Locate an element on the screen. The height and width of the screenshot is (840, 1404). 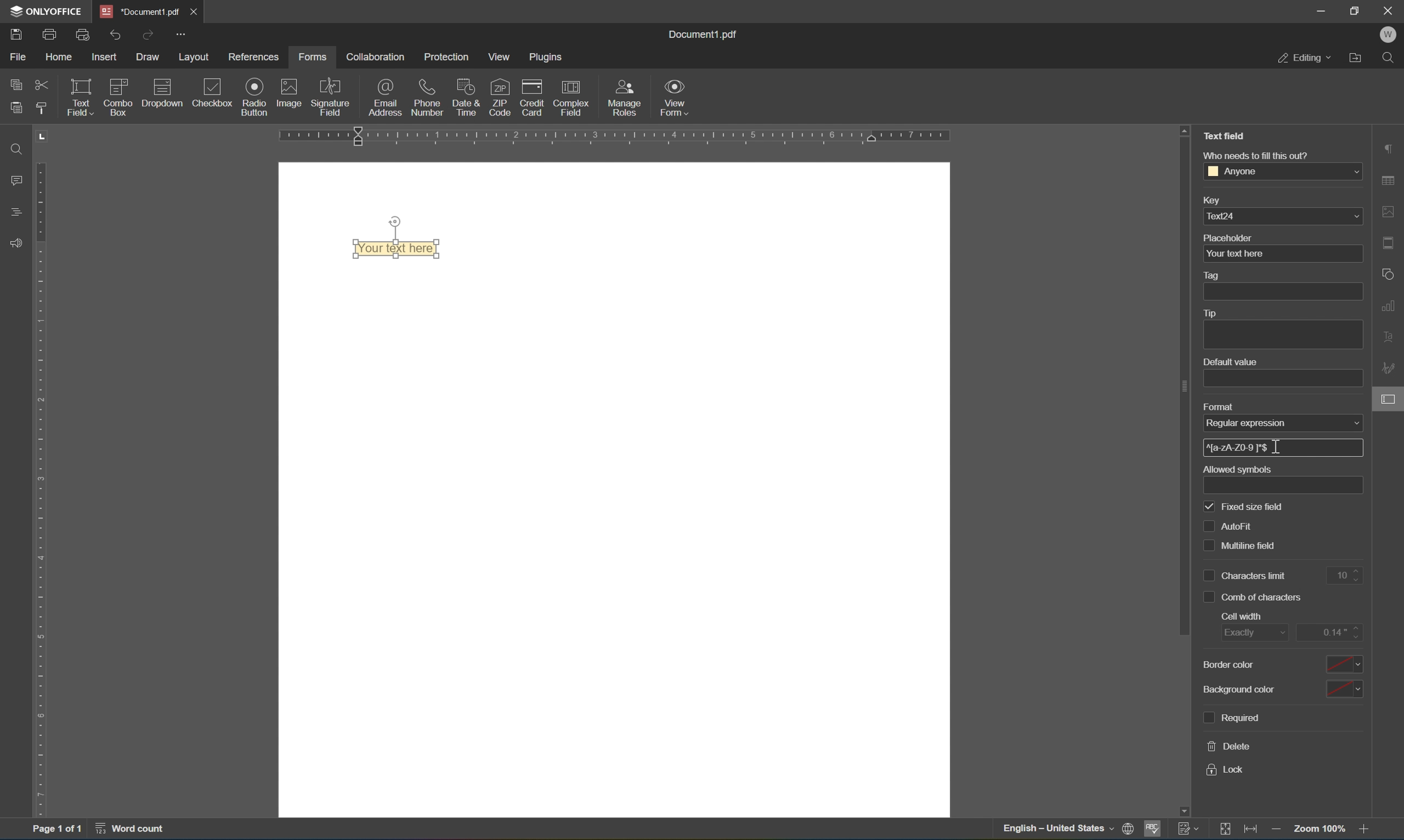
track changes is located at coordinates (1189, 828).